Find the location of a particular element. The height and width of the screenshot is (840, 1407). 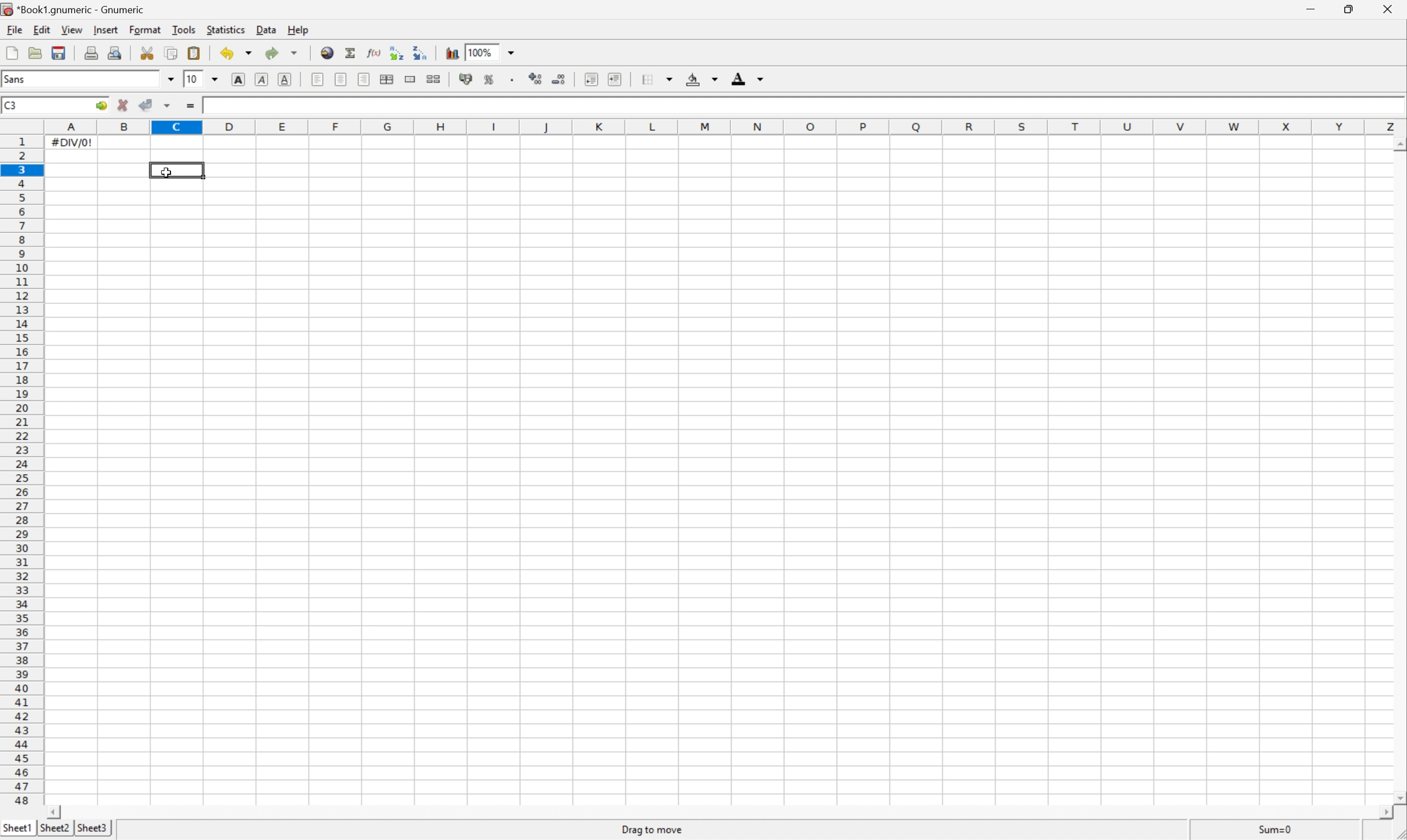

Center horizontally across selection is located at coordinates (388, 79).